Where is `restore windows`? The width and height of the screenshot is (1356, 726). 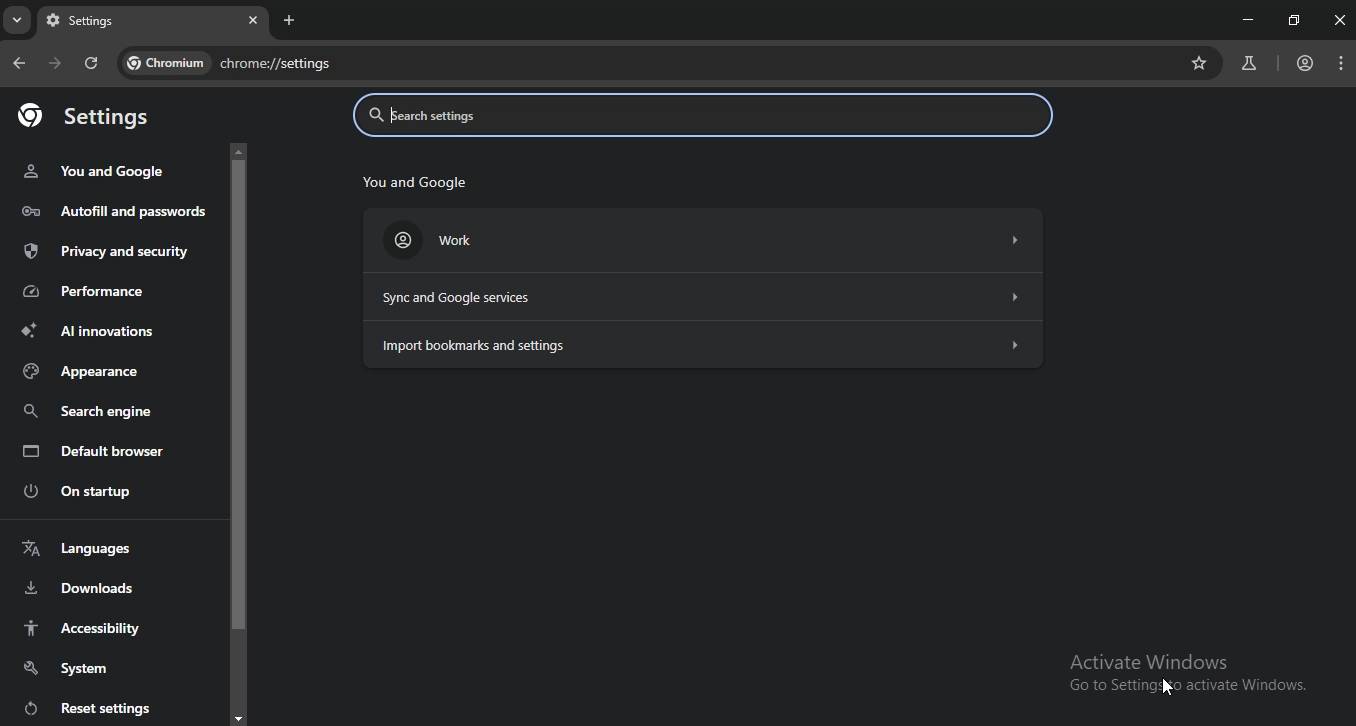 restore windows is located at coordinates (1295, 20).